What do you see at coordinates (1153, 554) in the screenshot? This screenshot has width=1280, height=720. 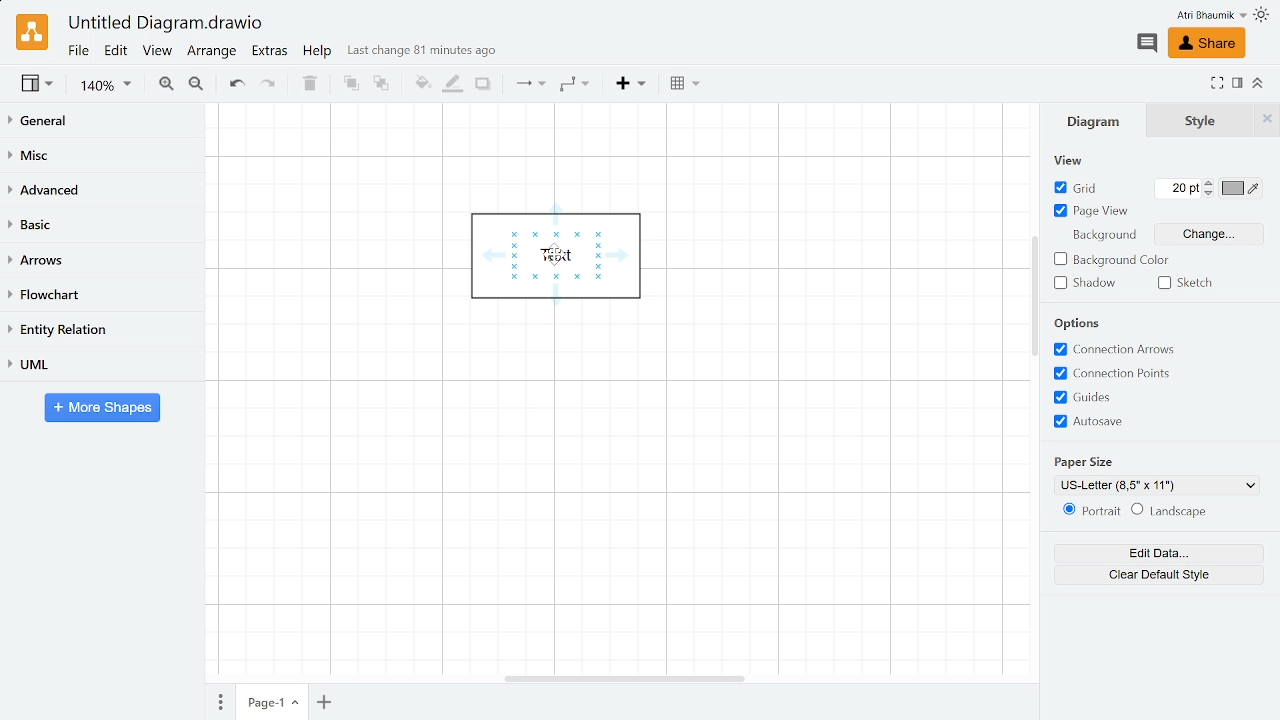 I see `Edit data` at bounding box center [1153, 554].